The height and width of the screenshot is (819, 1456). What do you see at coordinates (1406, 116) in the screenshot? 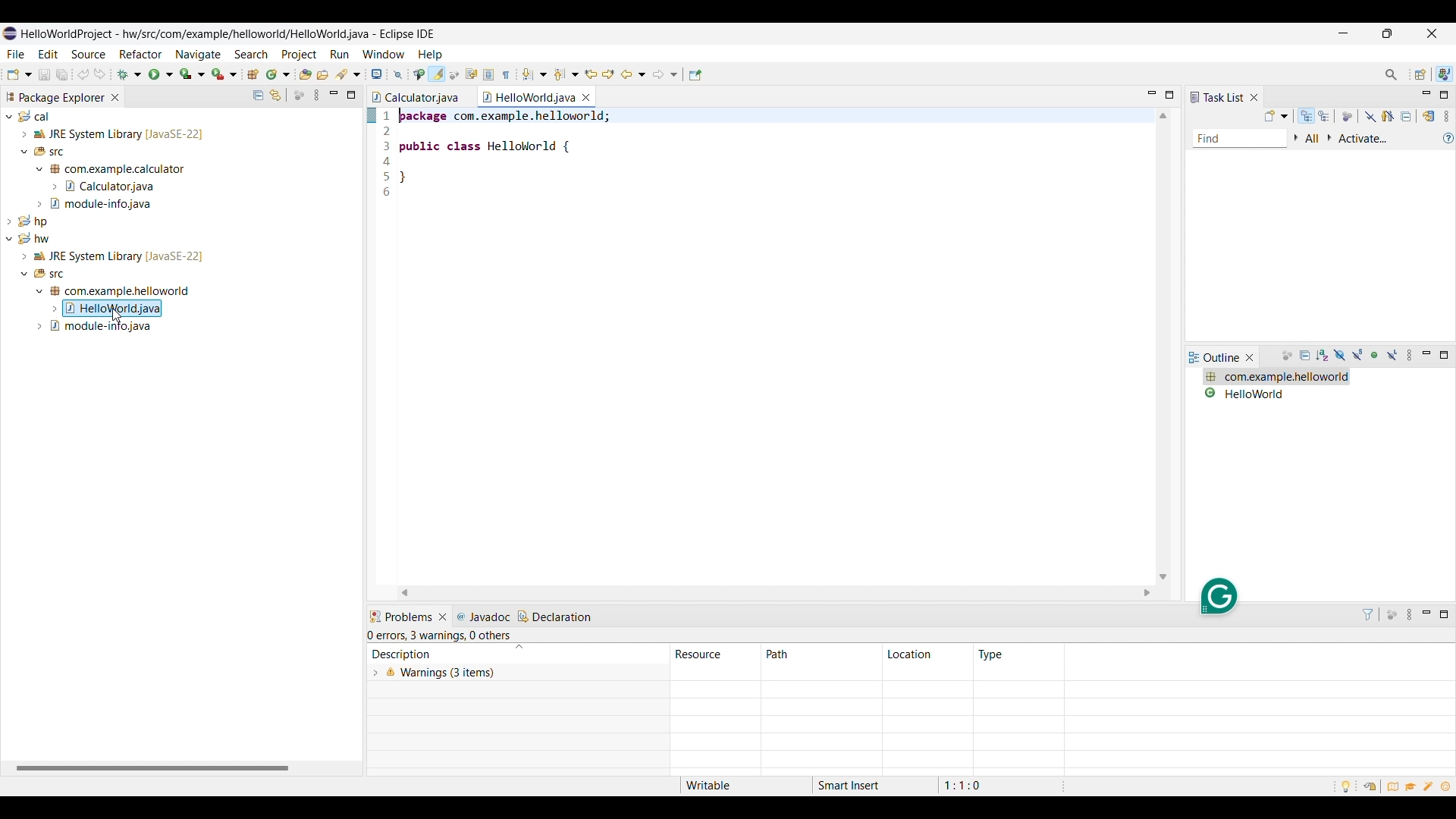
I see `Collapse all` at bounding box center [1406, 116].